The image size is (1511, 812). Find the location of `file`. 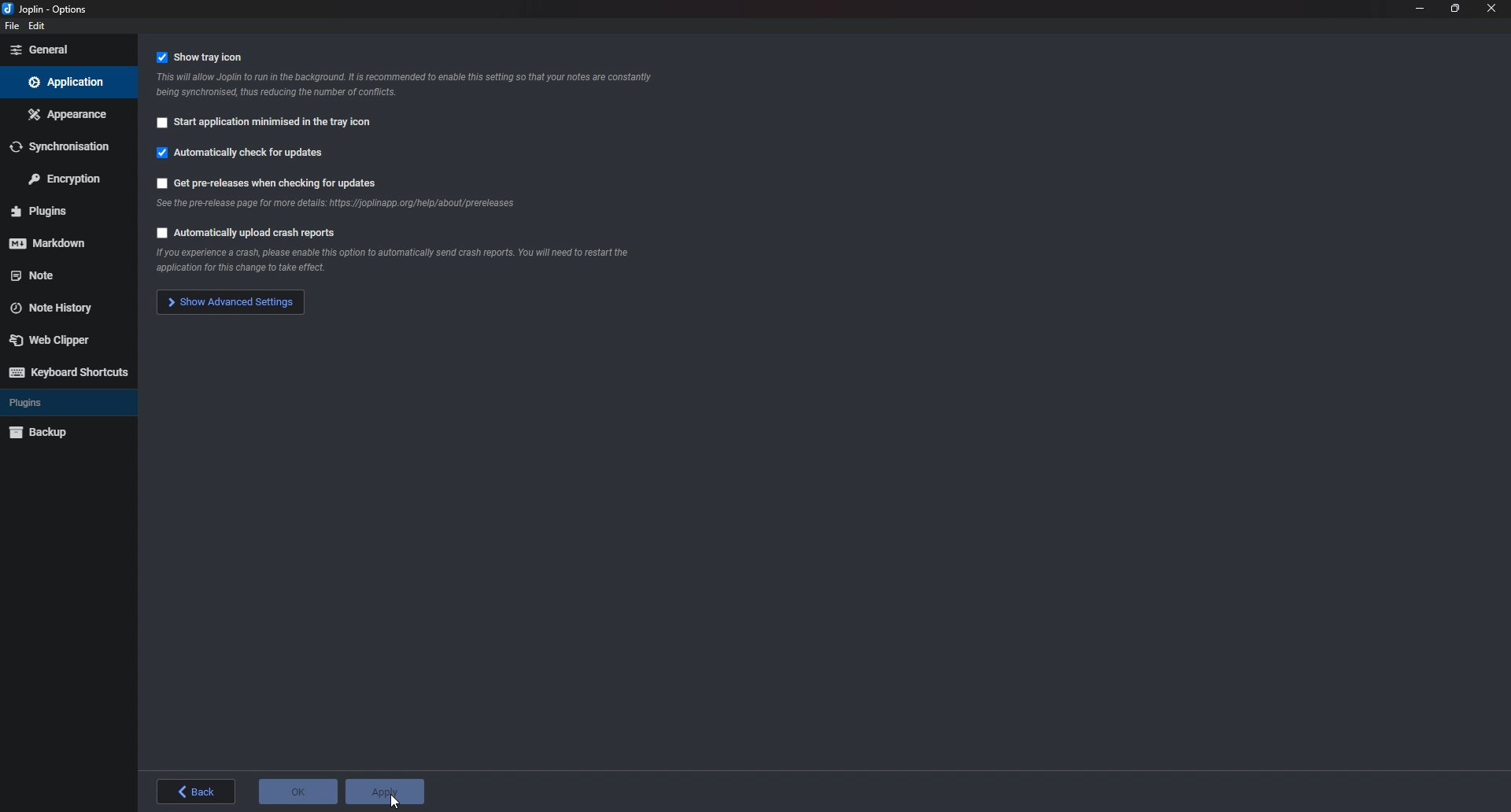

file is located at coordinates (10, 27).